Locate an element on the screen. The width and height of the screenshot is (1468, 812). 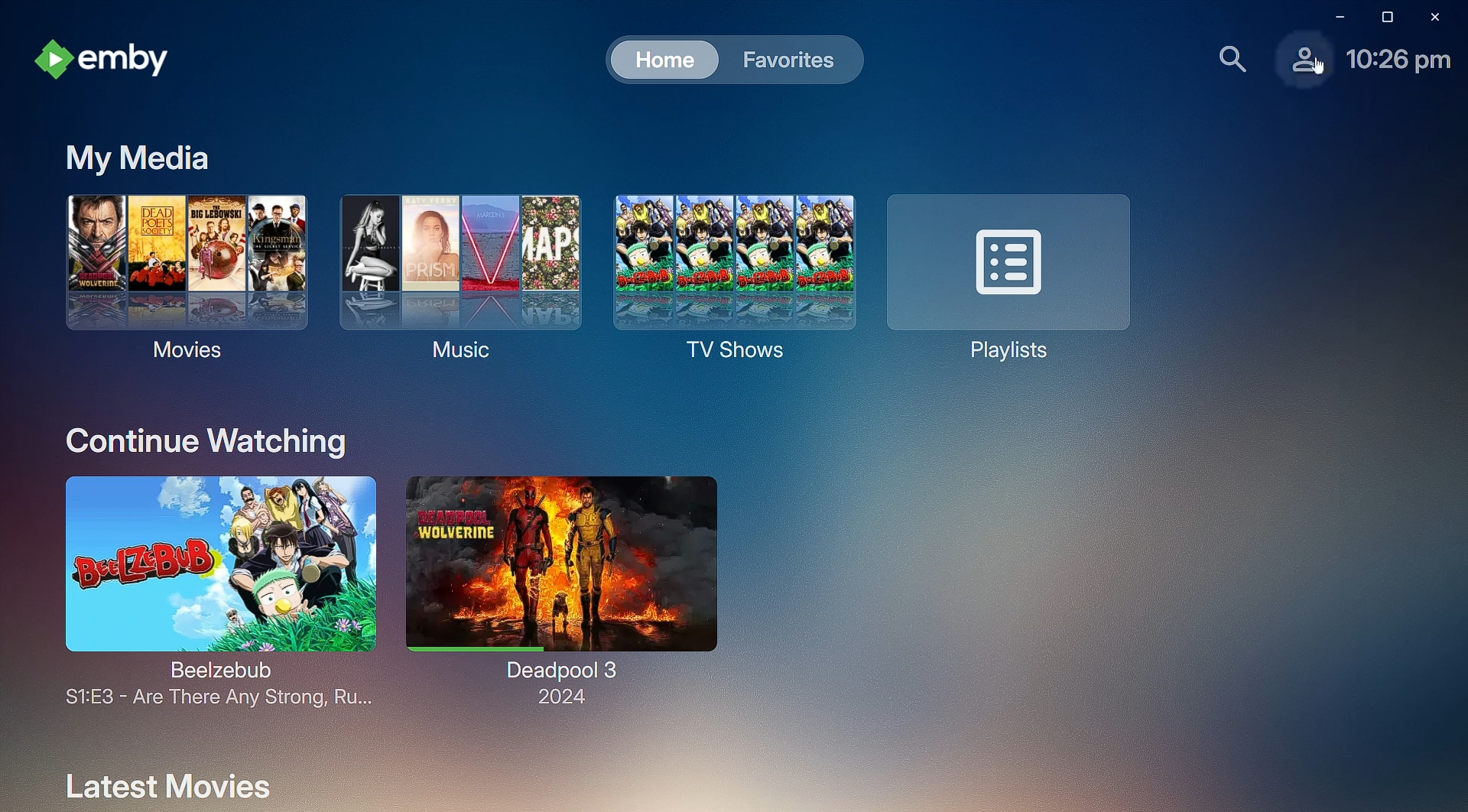
emby is located at coordinates (106, 59).